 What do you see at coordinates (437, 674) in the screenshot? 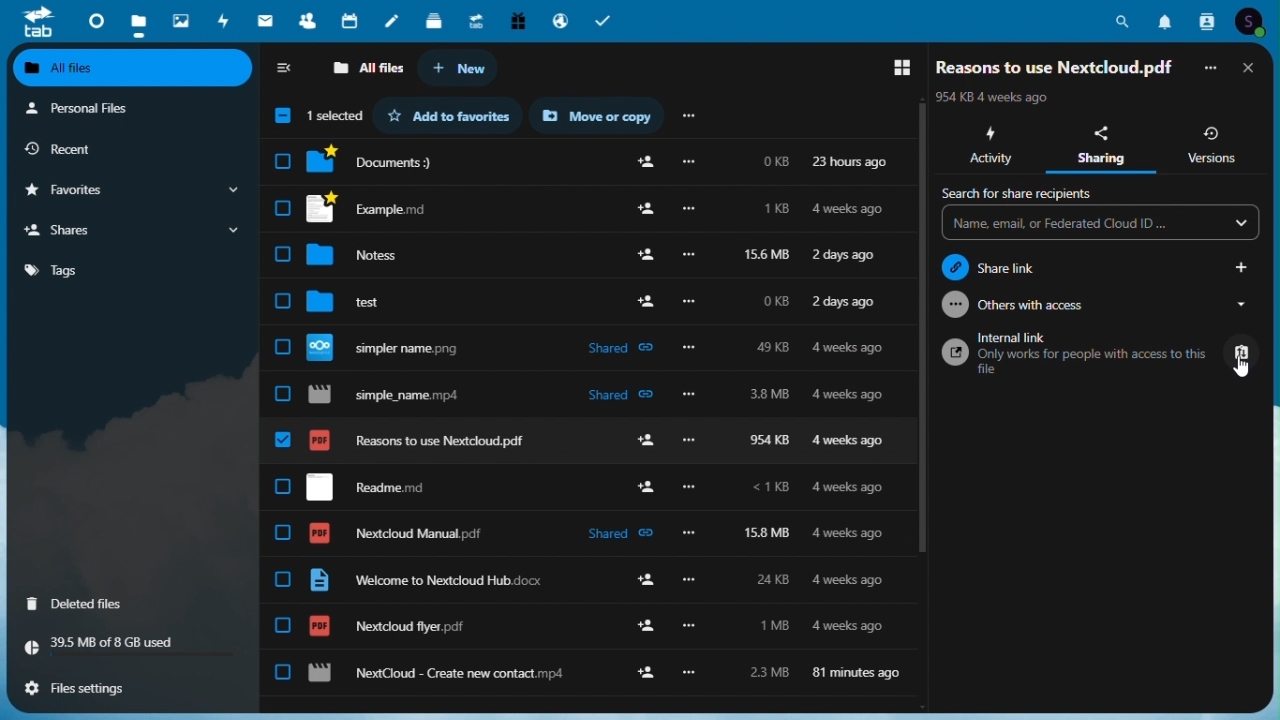
I see `nextcloud - create new contact.mp4` at bounding box center [437, 674].